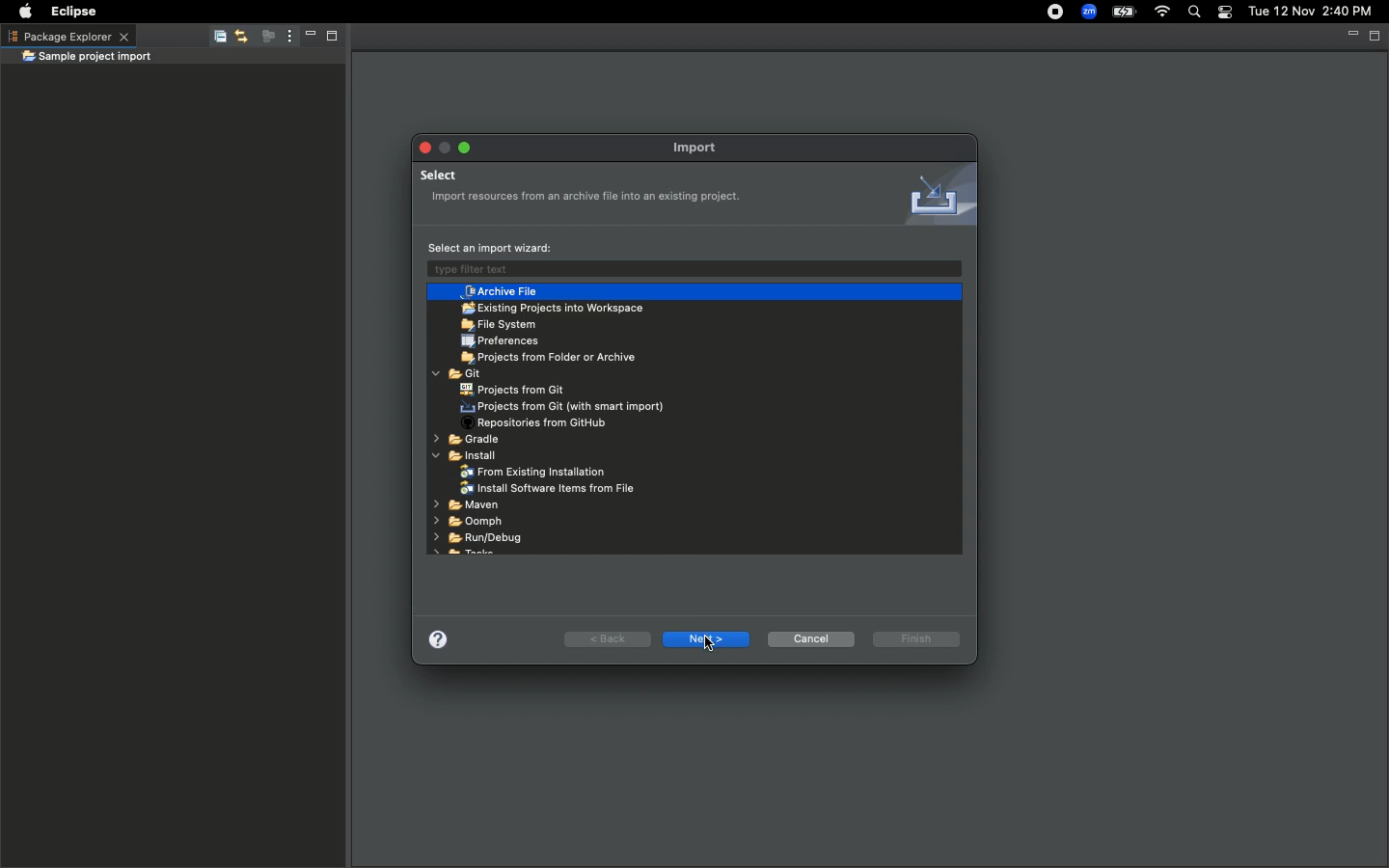 The image size is (1389, 868). I want to click on Gradle, so click(469, 442).